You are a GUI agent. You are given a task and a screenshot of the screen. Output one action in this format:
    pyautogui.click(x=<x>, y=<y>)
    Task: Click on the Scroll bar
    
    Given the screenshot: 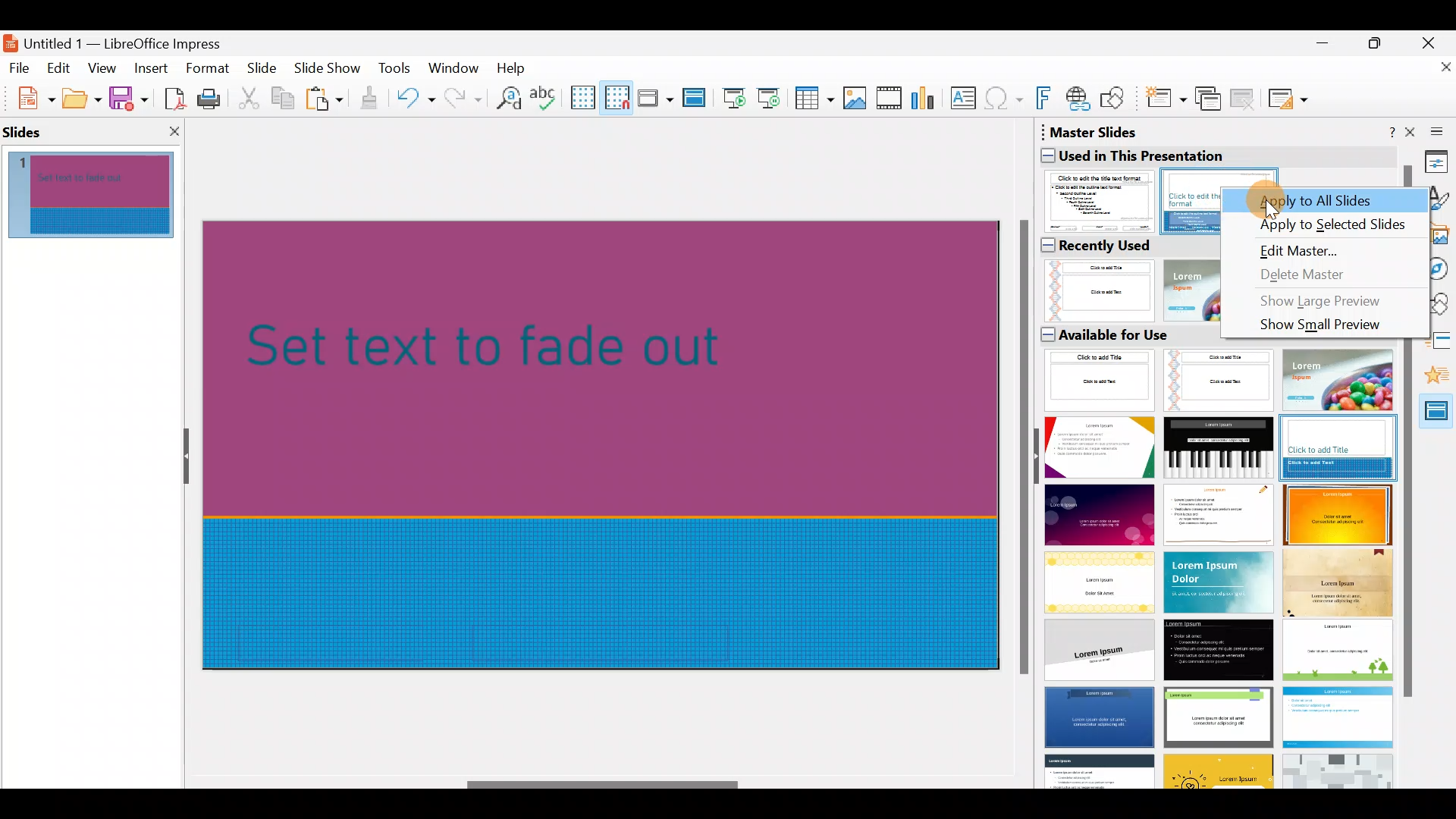 What is the action you would take?
    pyautogui.click(x=1021, y=449)
    